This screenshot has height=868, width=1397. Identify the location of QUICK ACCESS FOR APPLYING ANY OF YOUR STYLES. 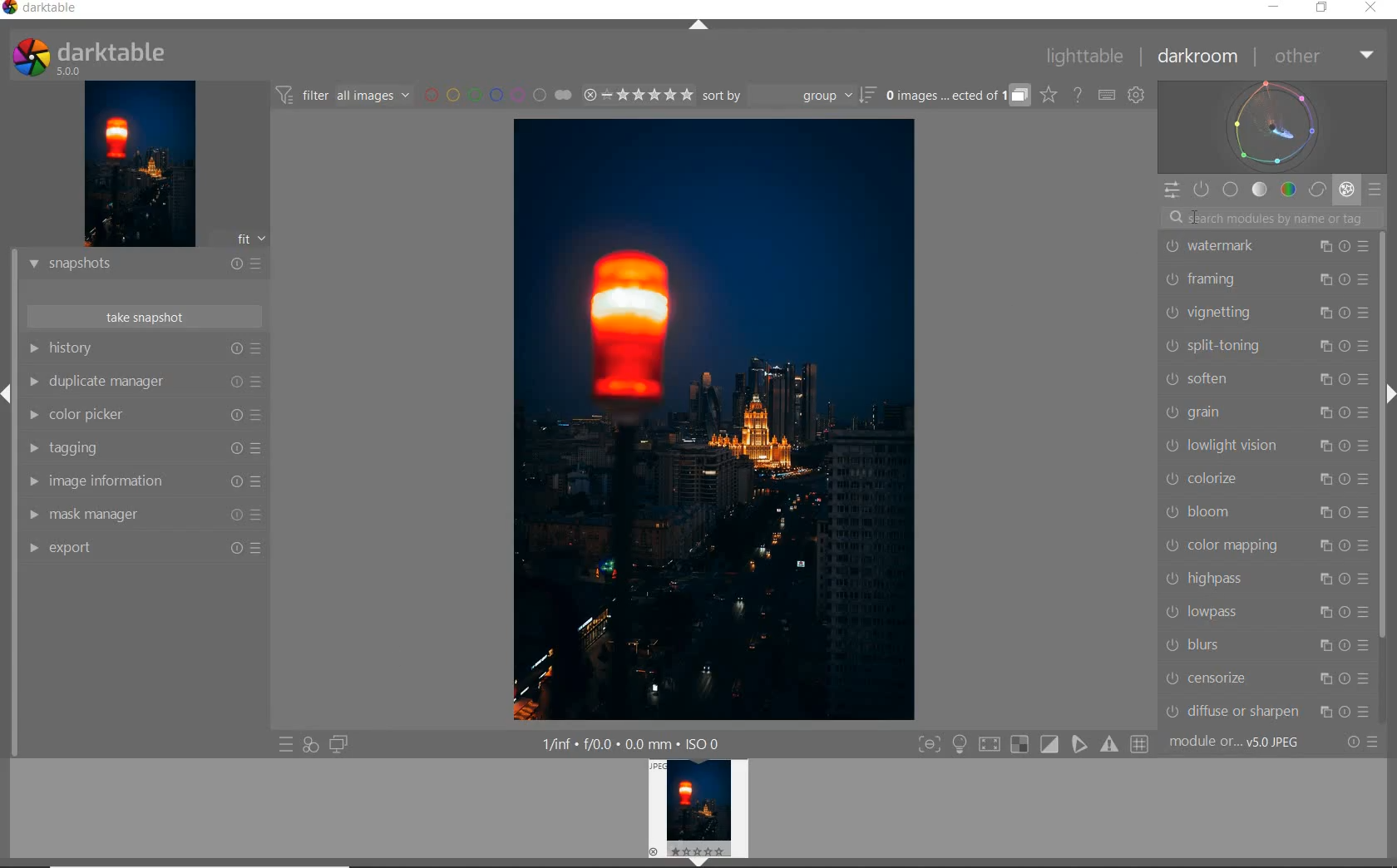
(309, 745).